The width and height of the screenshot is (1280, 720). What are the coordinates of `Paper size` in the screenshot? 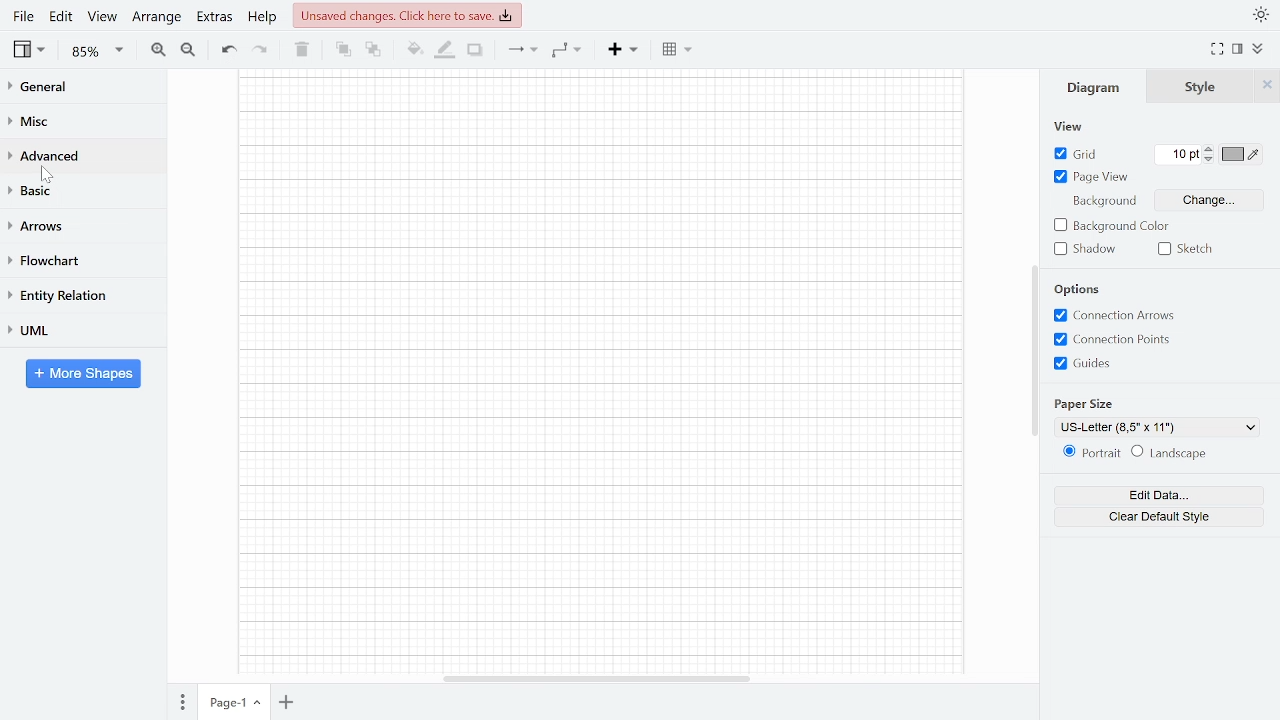 It's located at (1088, 404).